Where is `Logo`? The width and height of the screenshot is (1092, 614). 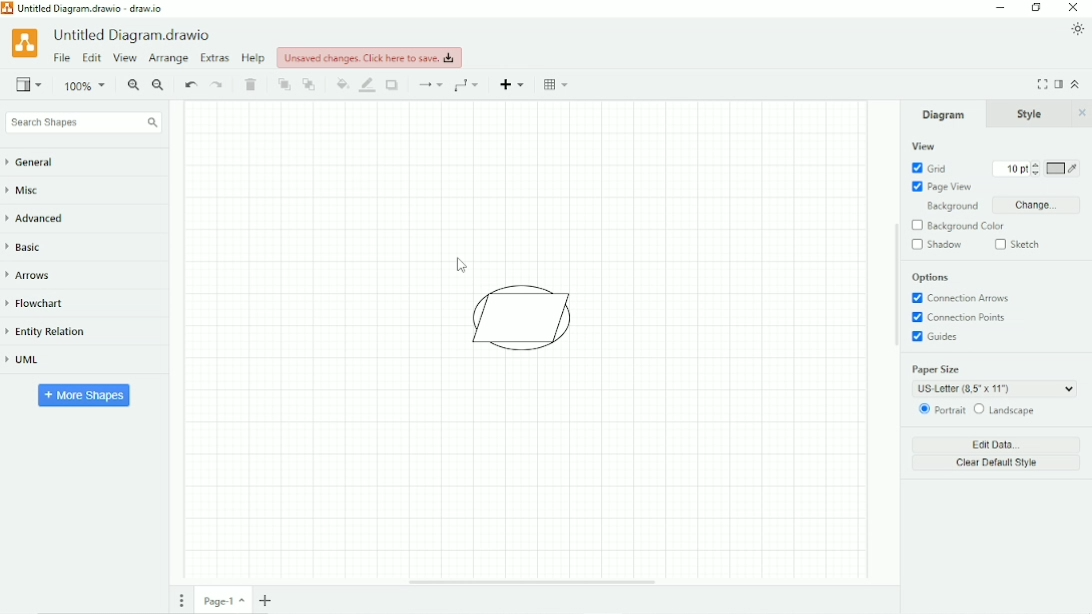
Logo is located at coordinates (24, 42).